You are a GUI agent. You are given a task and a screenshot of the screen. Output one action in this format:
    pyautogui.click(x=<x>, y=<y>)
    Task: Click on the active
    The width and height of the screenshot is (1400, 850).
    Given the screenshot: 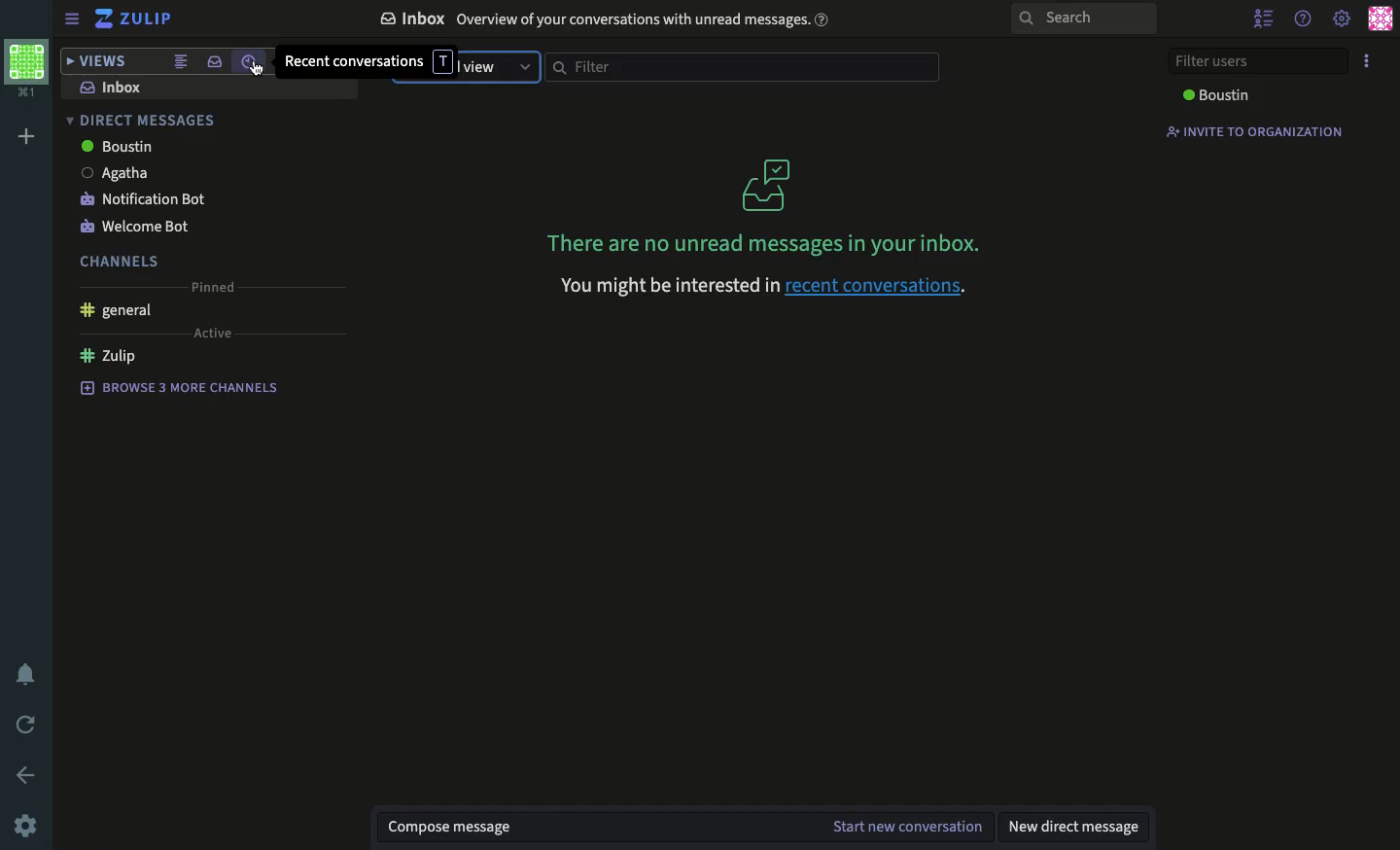 What is the action you would take?
    pyautogui.click(x=211, y=334)
    